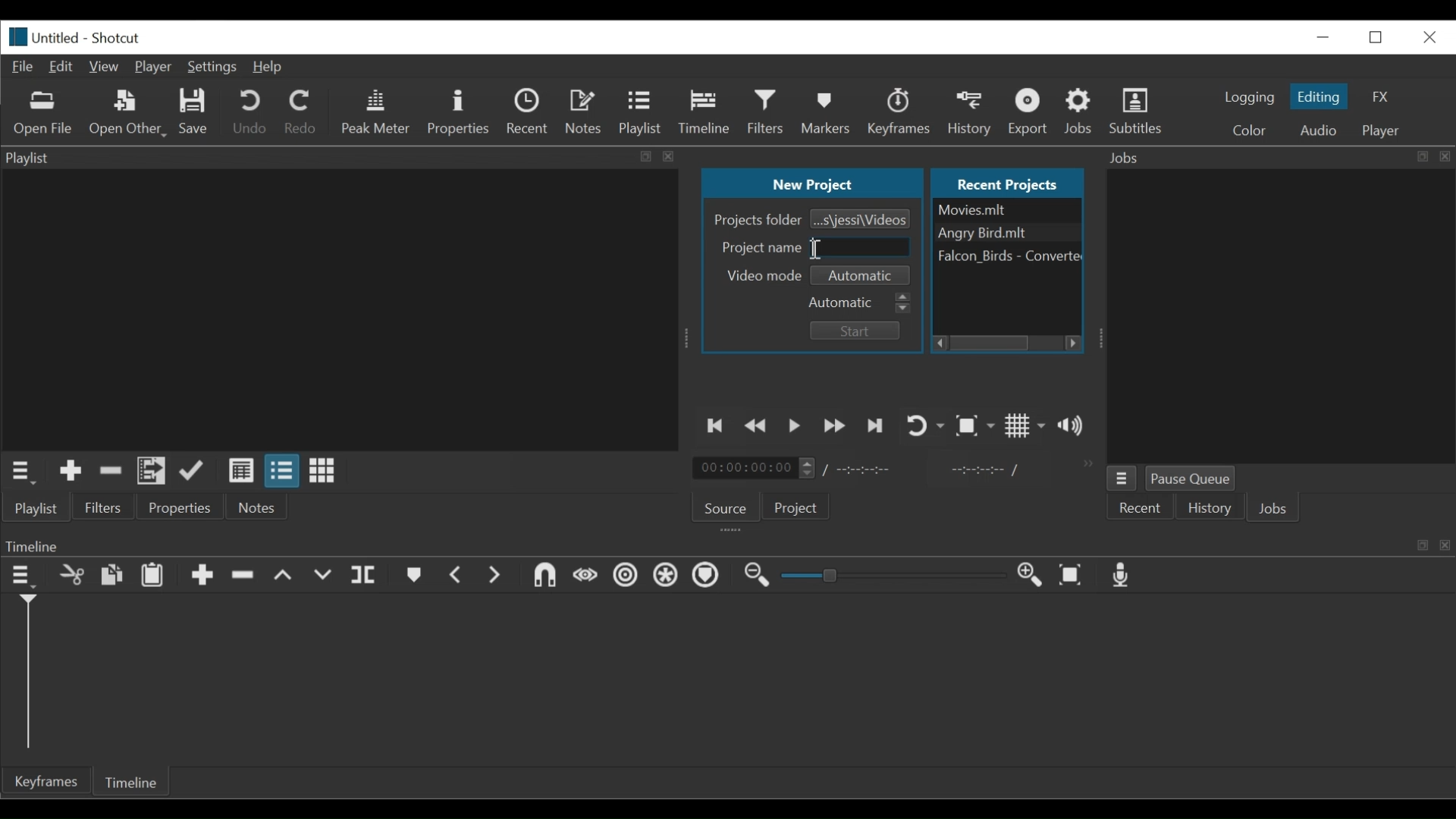 This screenshot has width=1456, height=819. Describe the element at coordinates (1320, 96) in the screenshot. I see `Editing` at that location.